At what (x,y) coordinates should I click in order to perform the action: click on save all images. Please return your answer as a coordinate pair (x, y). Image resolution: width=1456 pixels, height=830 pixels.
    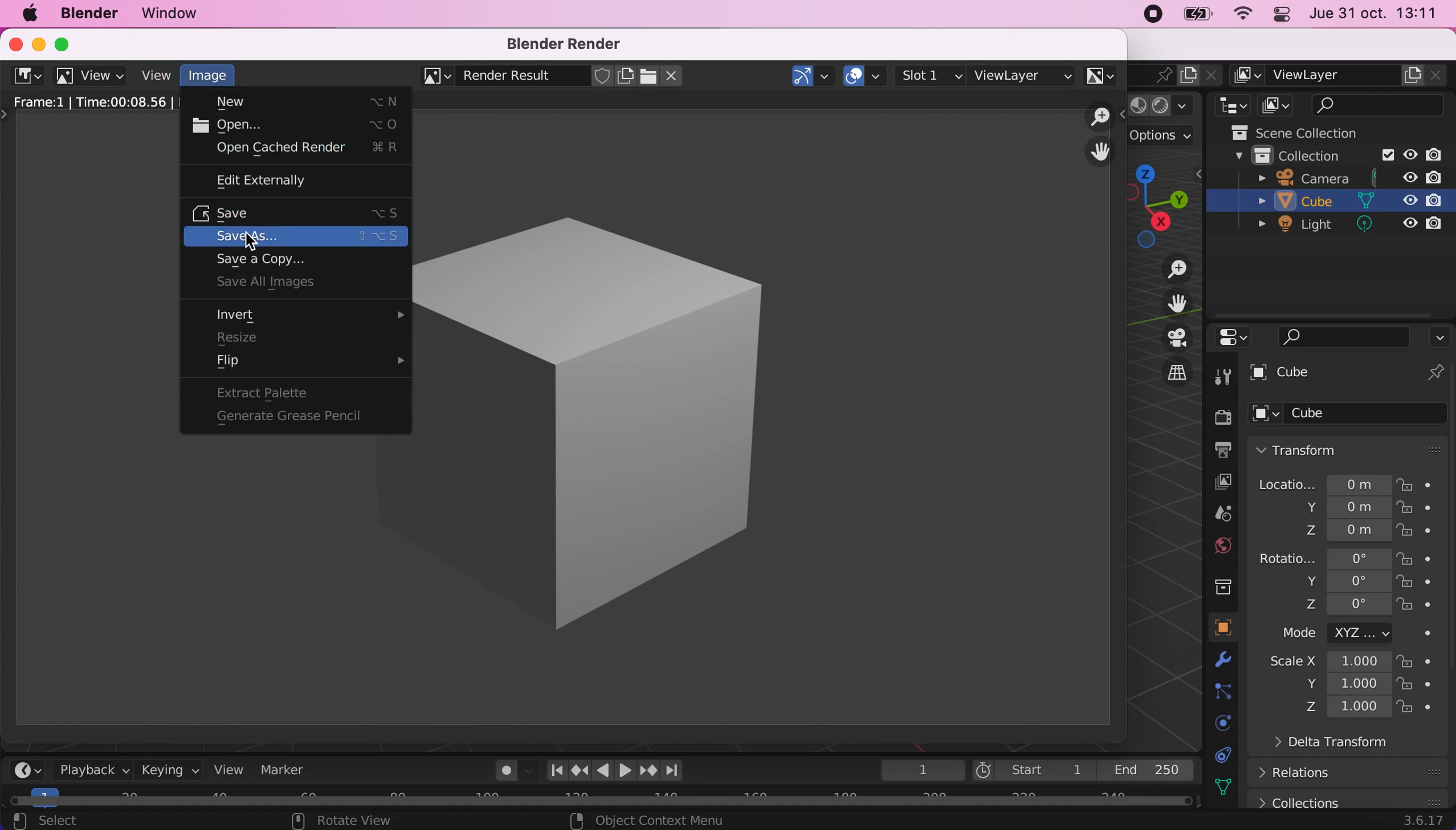
    Looking at the image, I should click on (299, 281).